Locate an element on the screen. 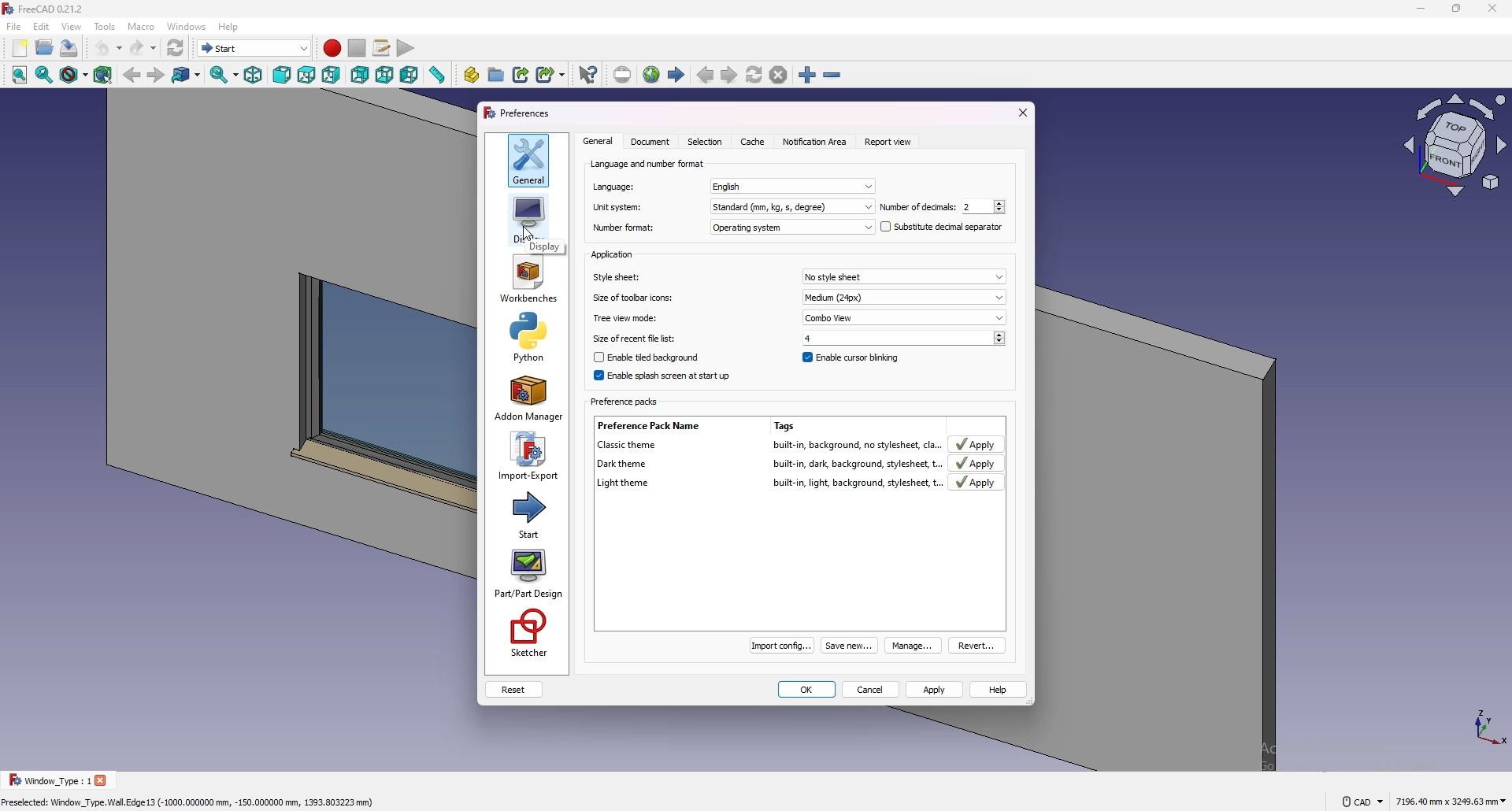  revert is located at coordinates (978, 644).